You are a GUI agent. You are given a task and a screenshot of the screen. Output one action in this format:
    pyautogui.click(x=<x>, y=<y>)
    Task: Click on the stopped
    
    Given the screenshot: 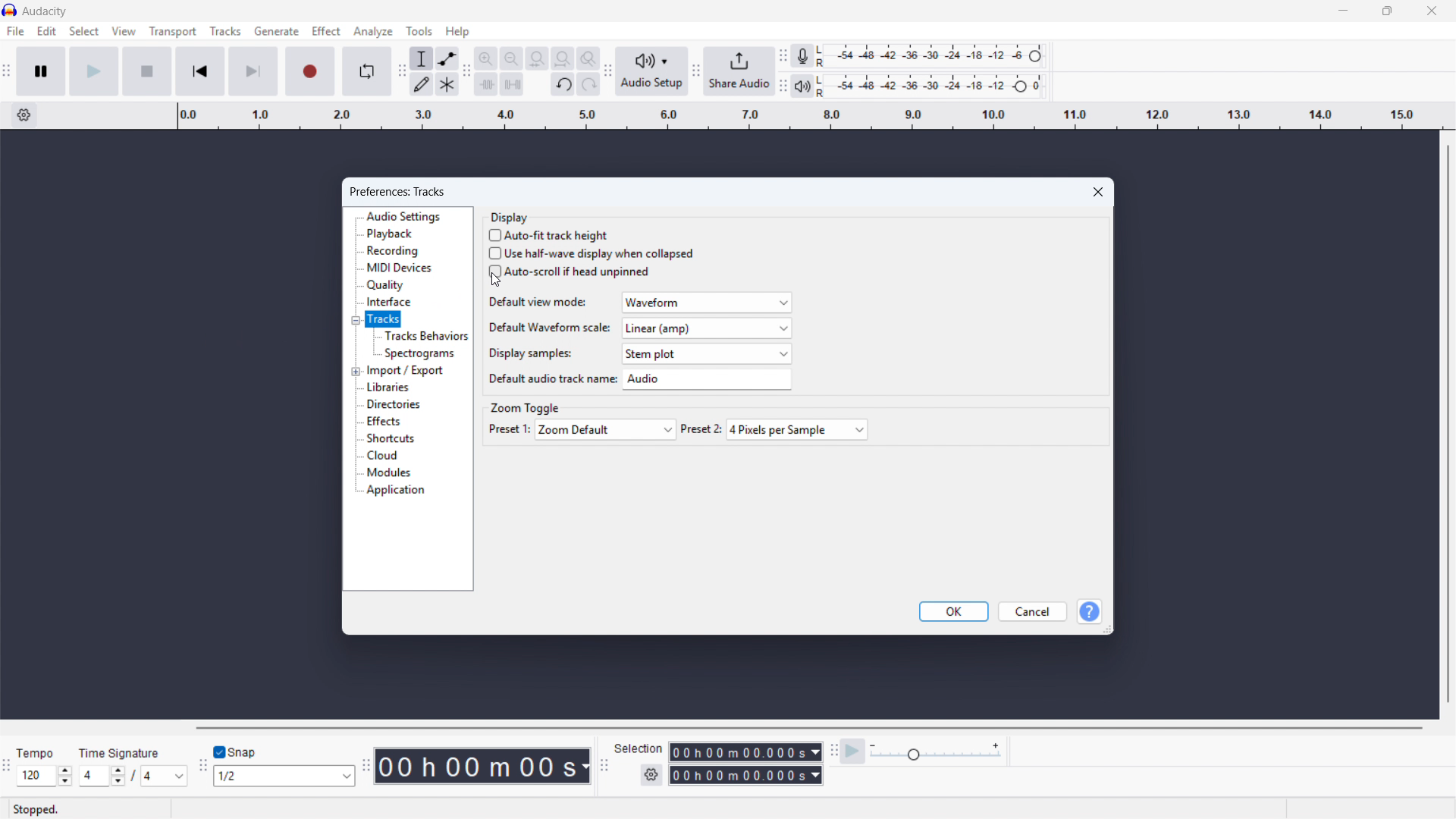 What is the action you would take?
    pyautogui.click(x=36, y=811)
    